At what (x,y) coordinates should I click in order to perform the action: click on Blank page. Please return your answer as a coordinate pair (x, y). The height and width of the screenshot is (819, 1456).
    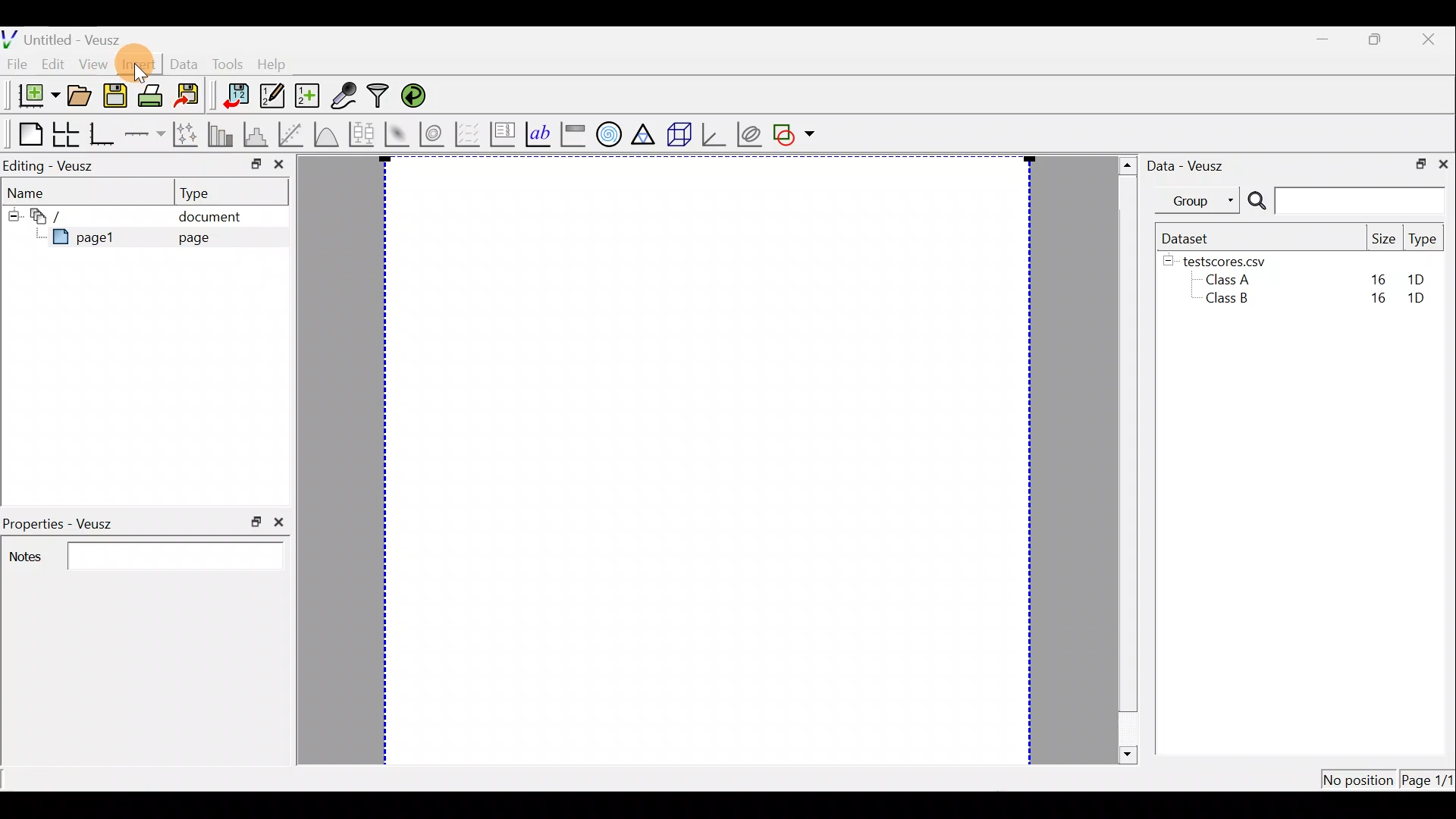
    Looking at the image, I should click on (24, 132).